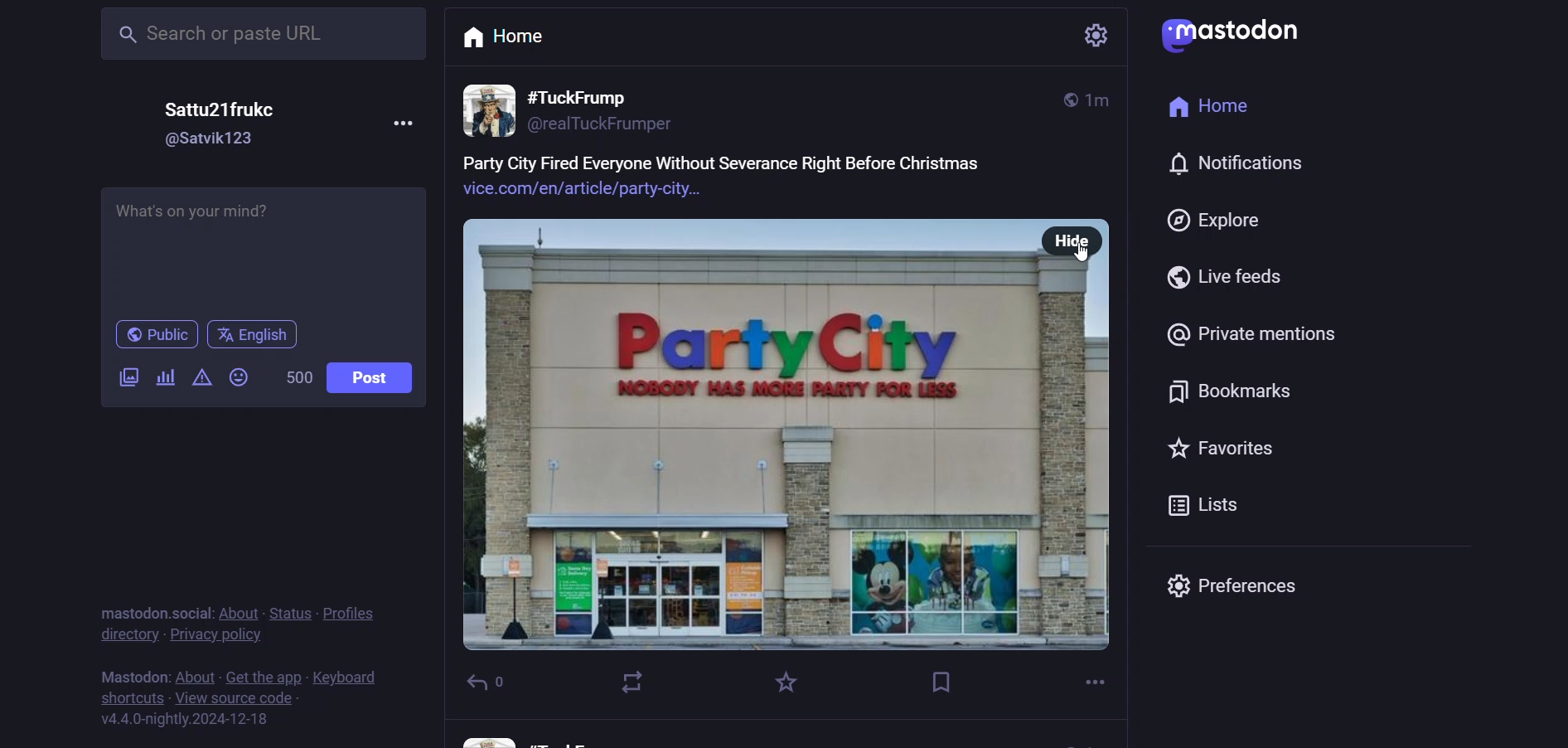 This screenshot has height=748, width=1568. What do you see at coordinates (514, 40) in the screenshot?
I see `Home` at bounding box center [514, 40].